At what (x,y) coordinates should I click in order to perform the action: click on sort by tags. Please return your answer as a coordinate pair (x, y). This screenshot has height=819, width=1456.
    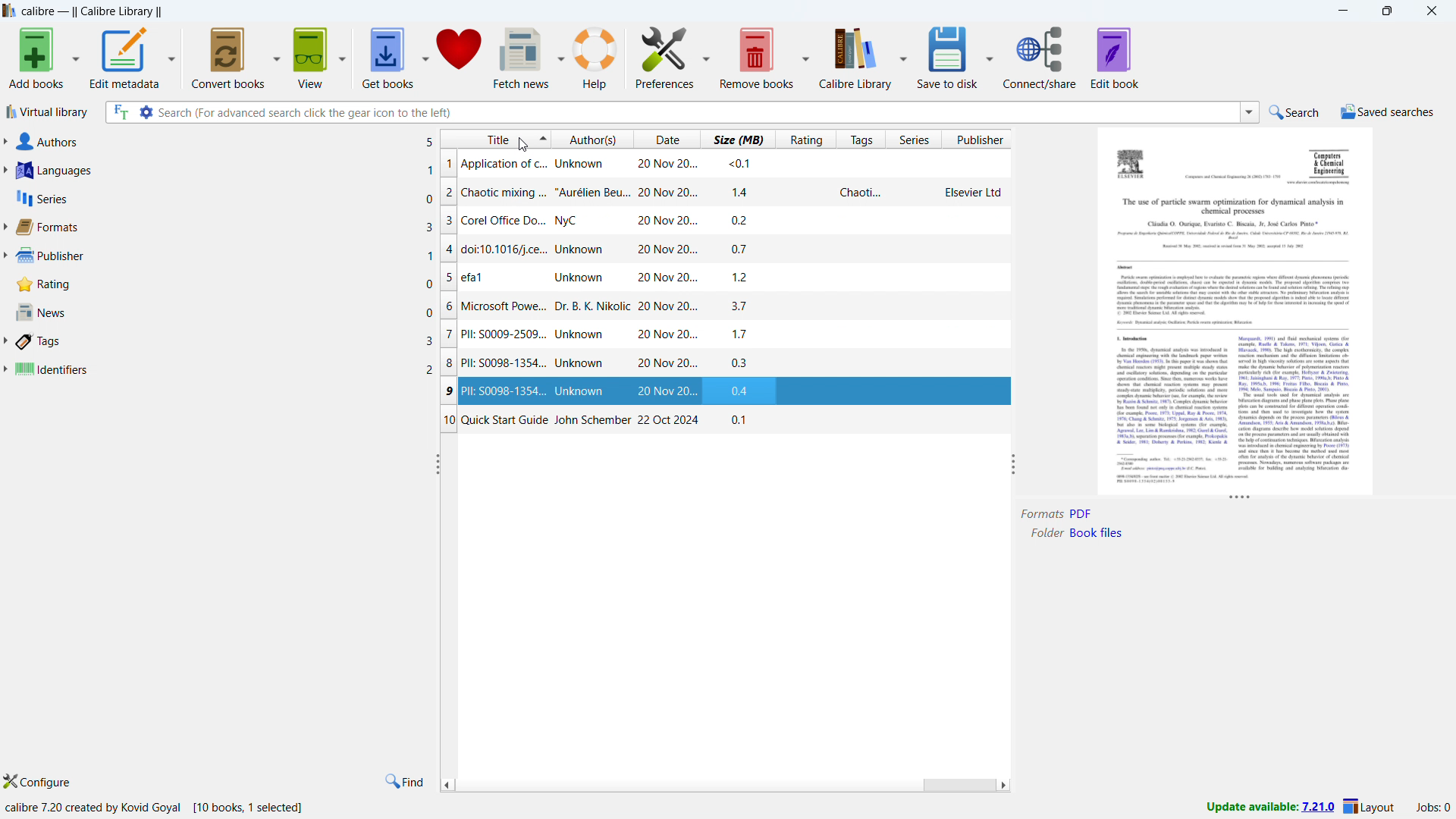
    Looking at the image, I should click on (859, 140).